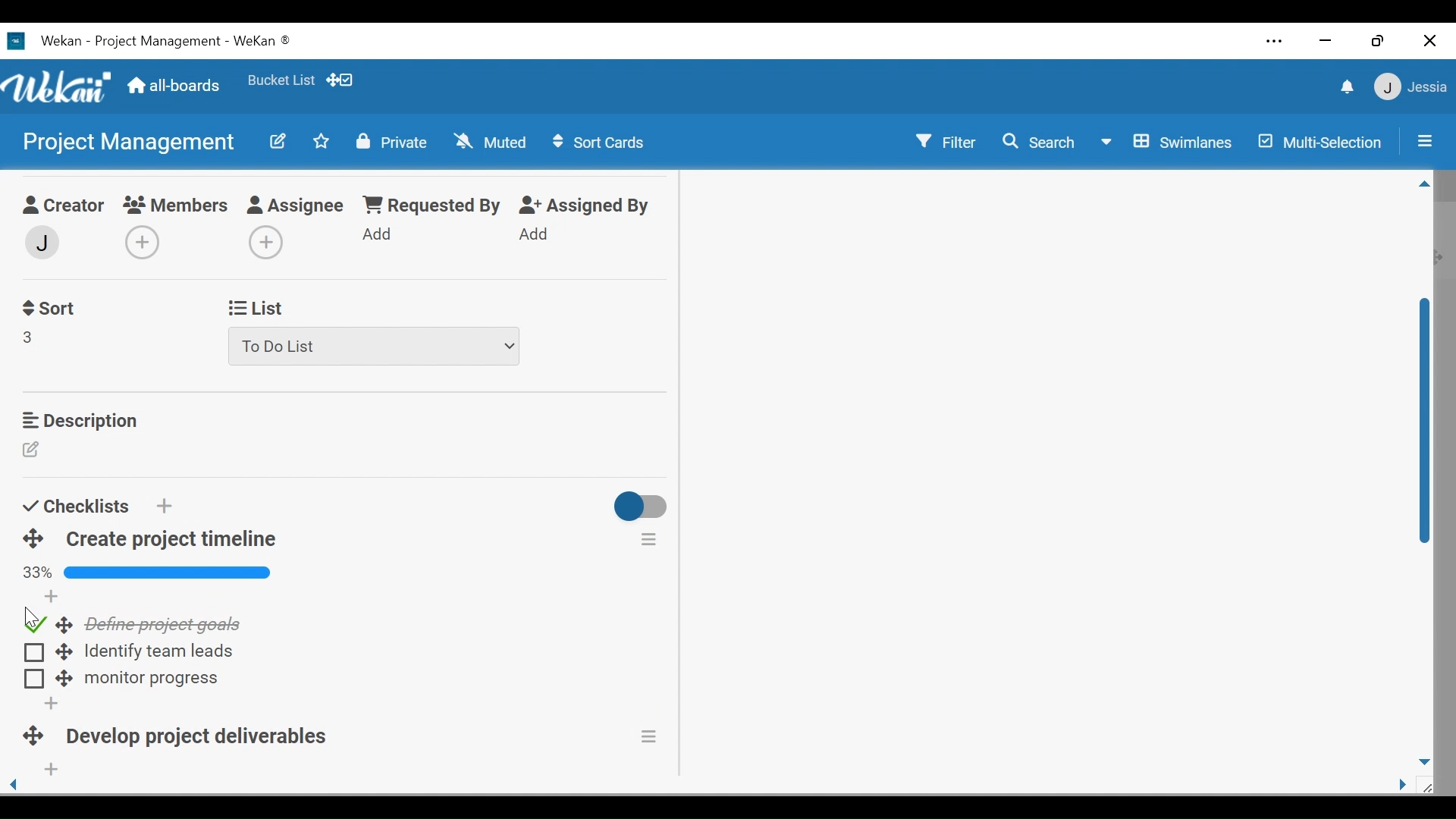 This screenshot has width=1456, height=819. Describe the element at coordinates (391, 143) in the screenshot. I see `Private` at that location.